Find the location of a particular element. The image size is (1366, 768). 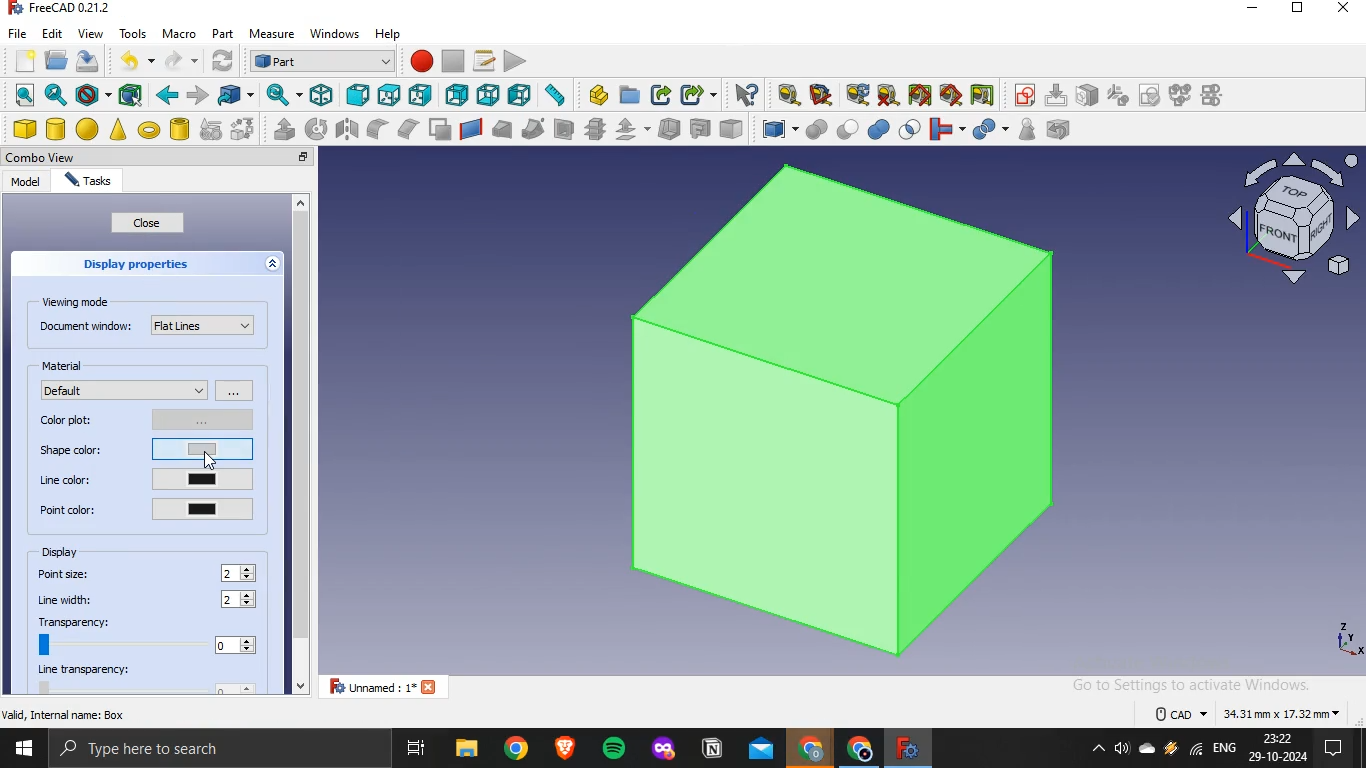

display properties is located at coordinates (137, 263).